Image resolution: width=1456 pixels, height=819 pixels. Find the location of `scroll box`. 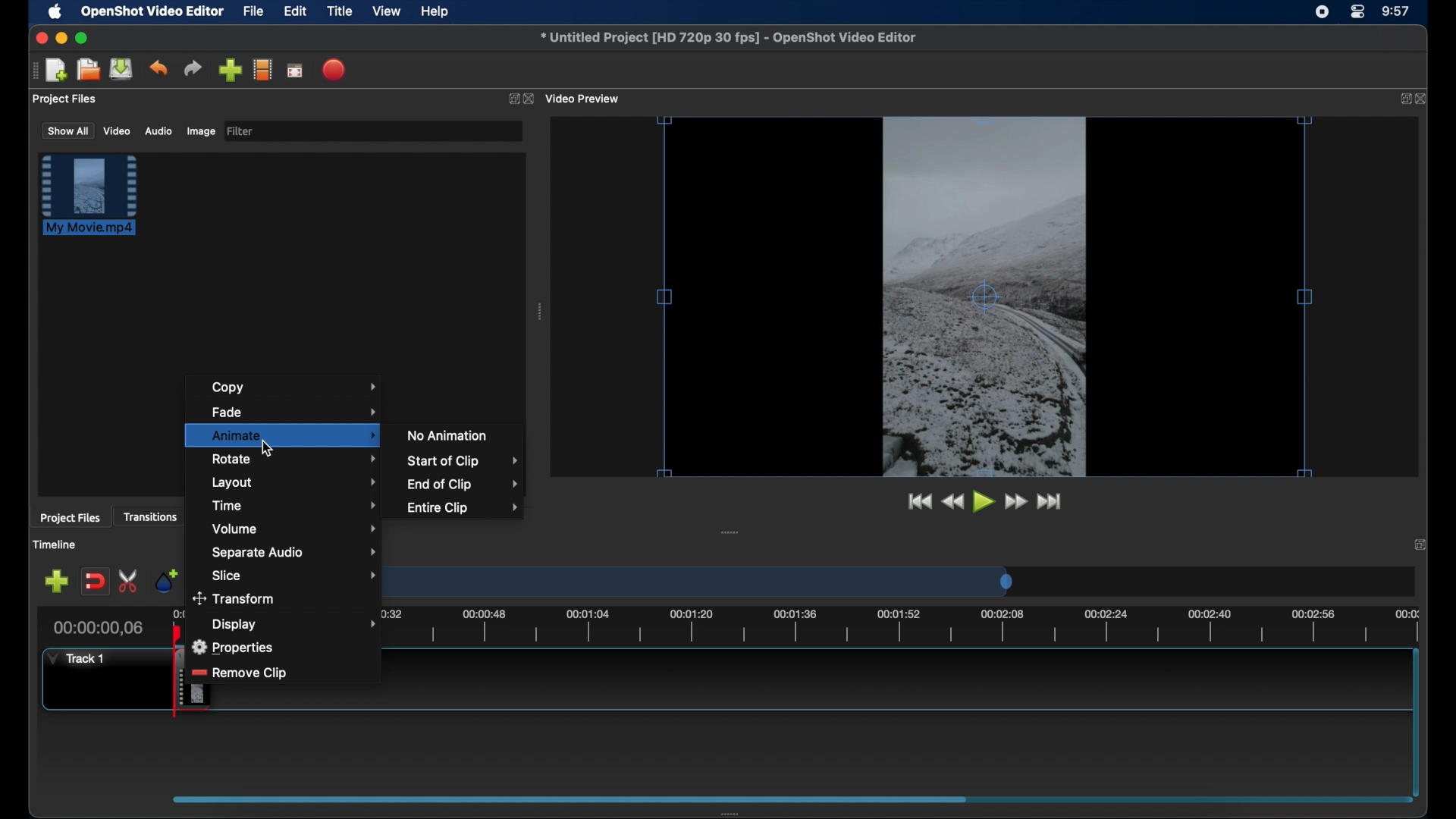

scroll box is located at coordinates (564, 799).